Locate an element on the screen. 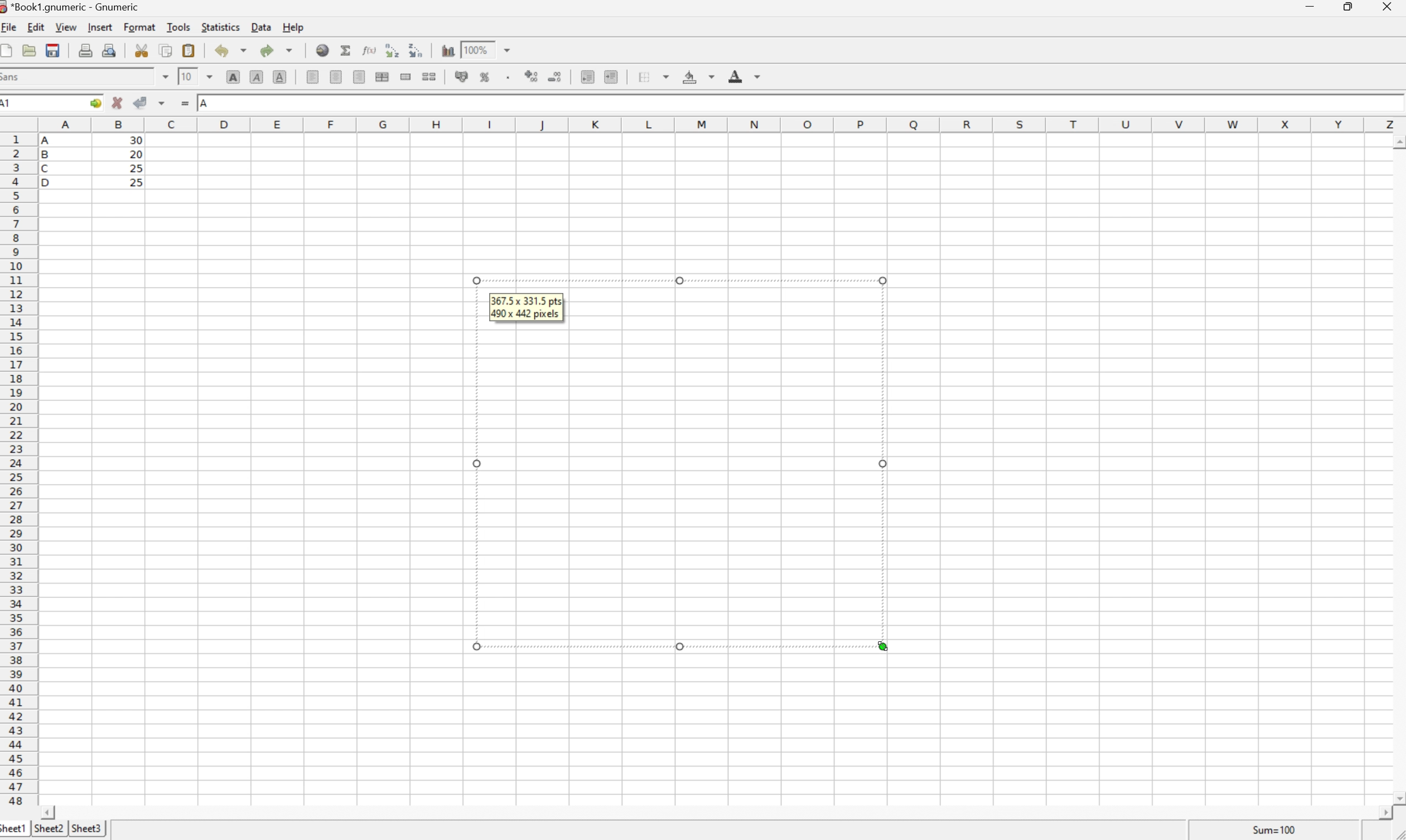 The width and height of the screenshot is (1406, 840). 20 is located at coordinates (135, 154).